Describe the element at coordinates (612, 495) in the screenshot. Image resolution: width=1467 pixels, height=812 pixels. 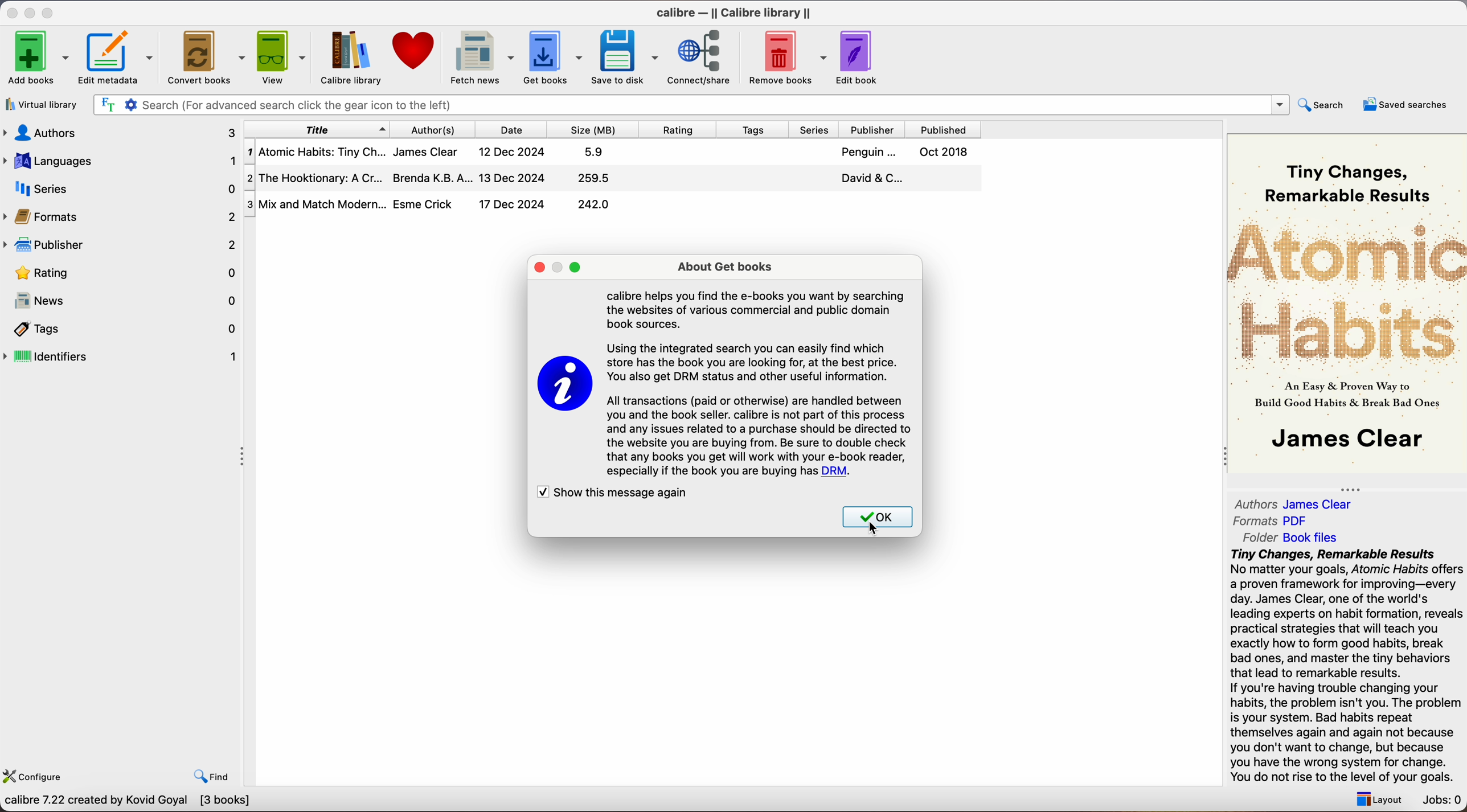
I see `show this message` at that location.